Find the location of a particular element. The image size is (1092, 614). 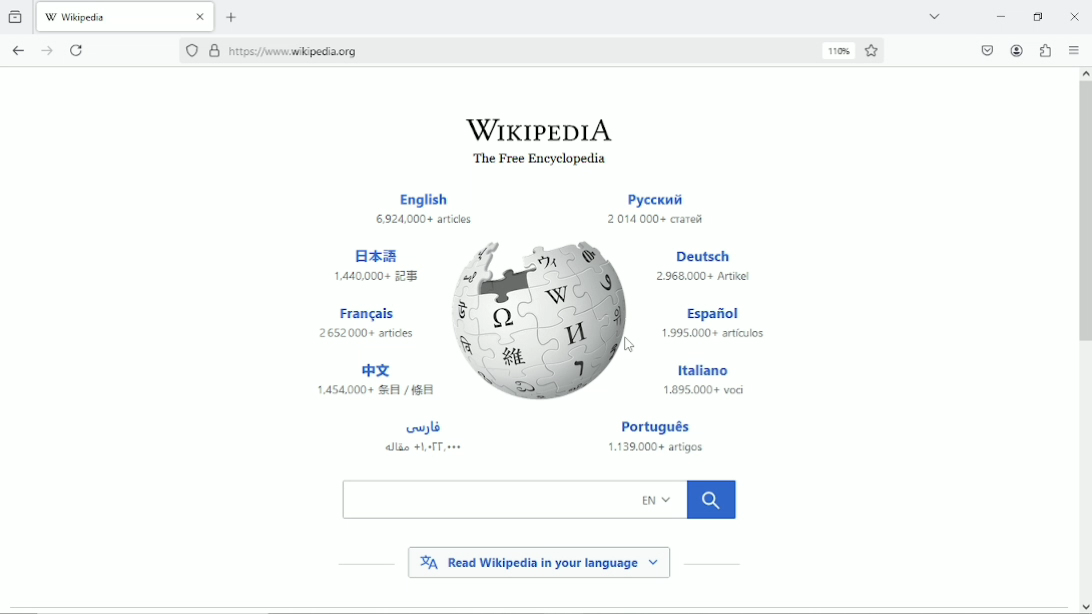

Pycexmit2014 000+ articles is located at coordinates (655, 210).